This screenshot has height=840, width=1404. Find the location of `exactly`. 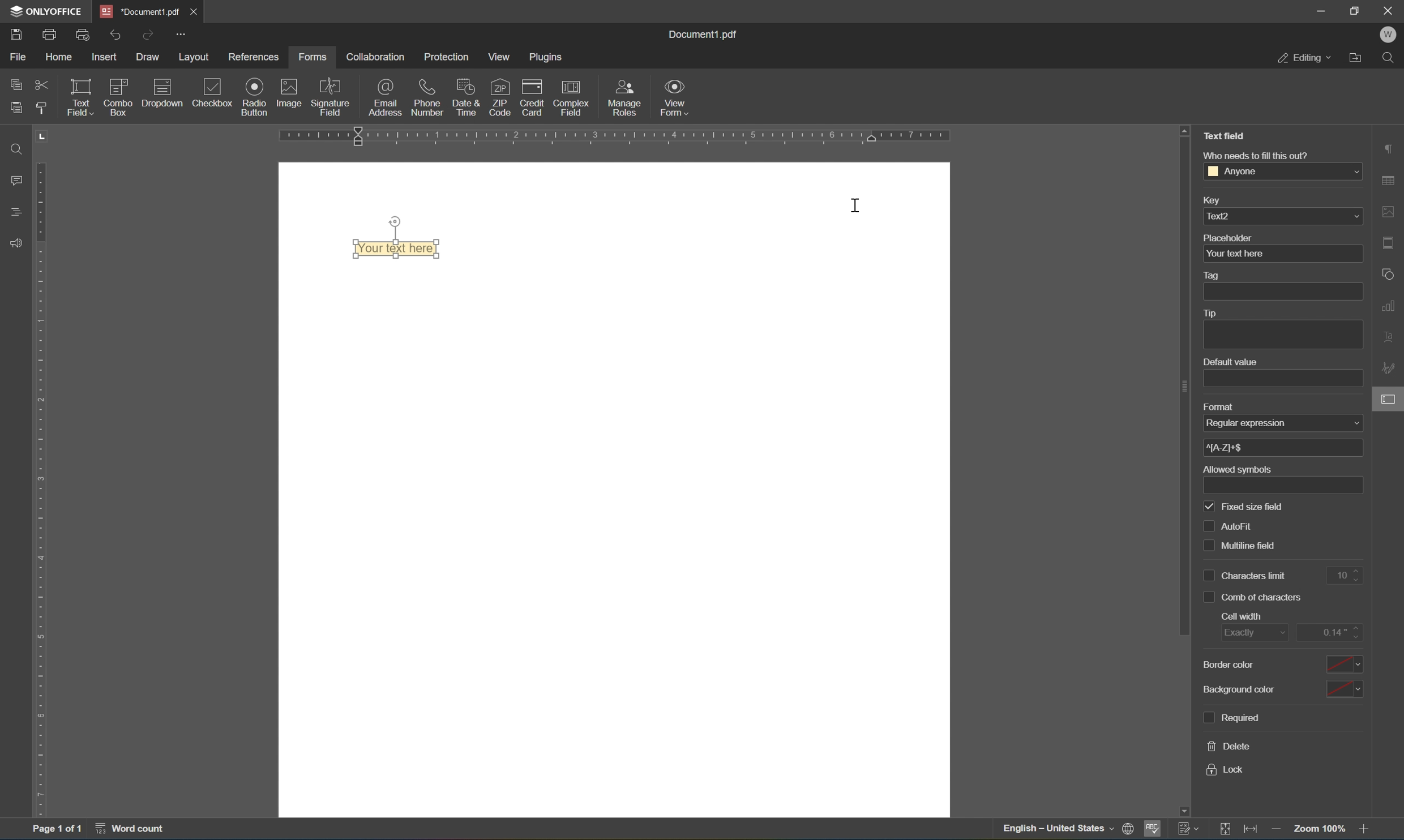

exactly is located at coordinates (1243, 635).